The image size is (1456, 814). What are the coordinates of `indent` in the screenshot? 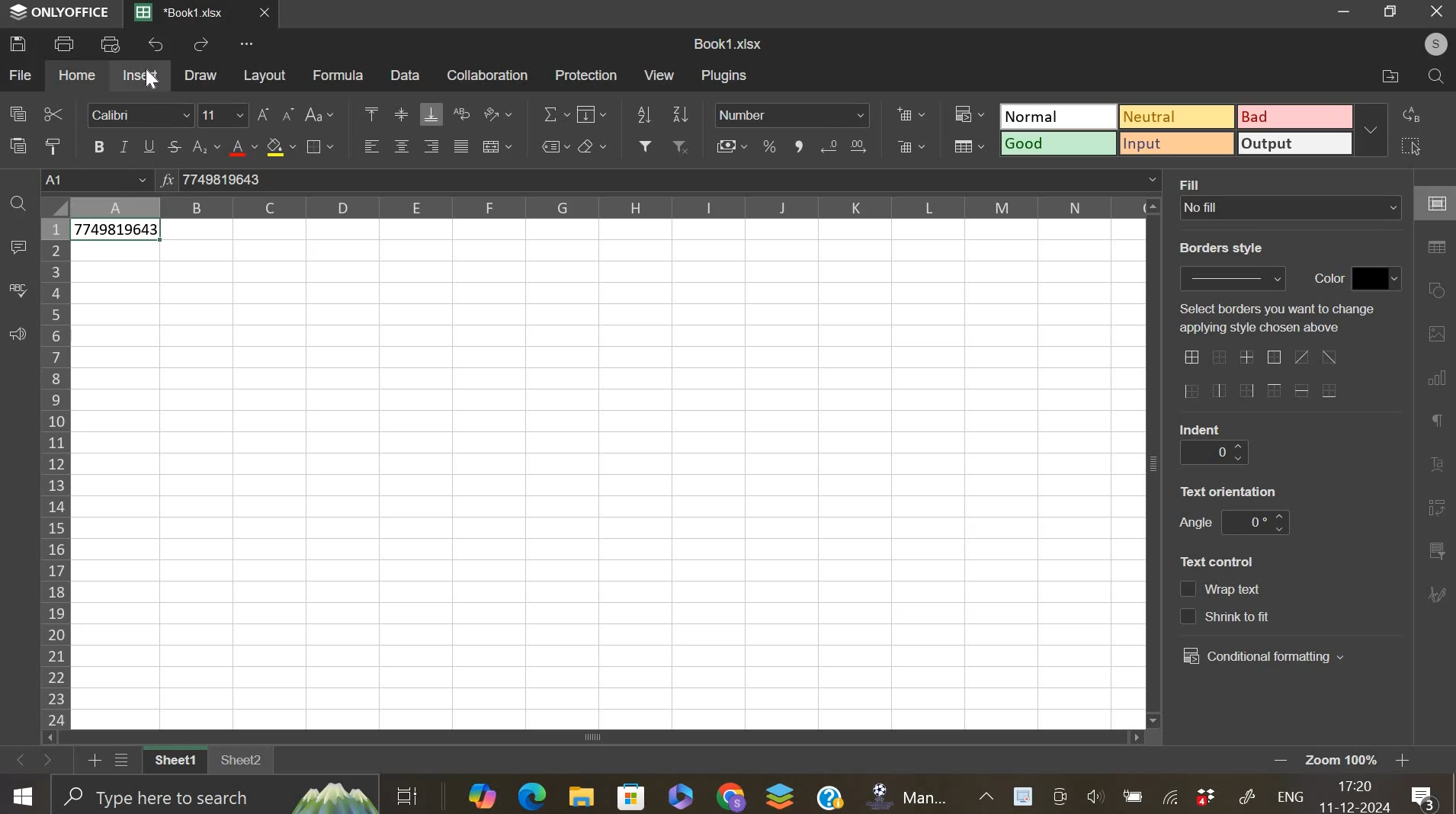 It's located at (1213, 453).